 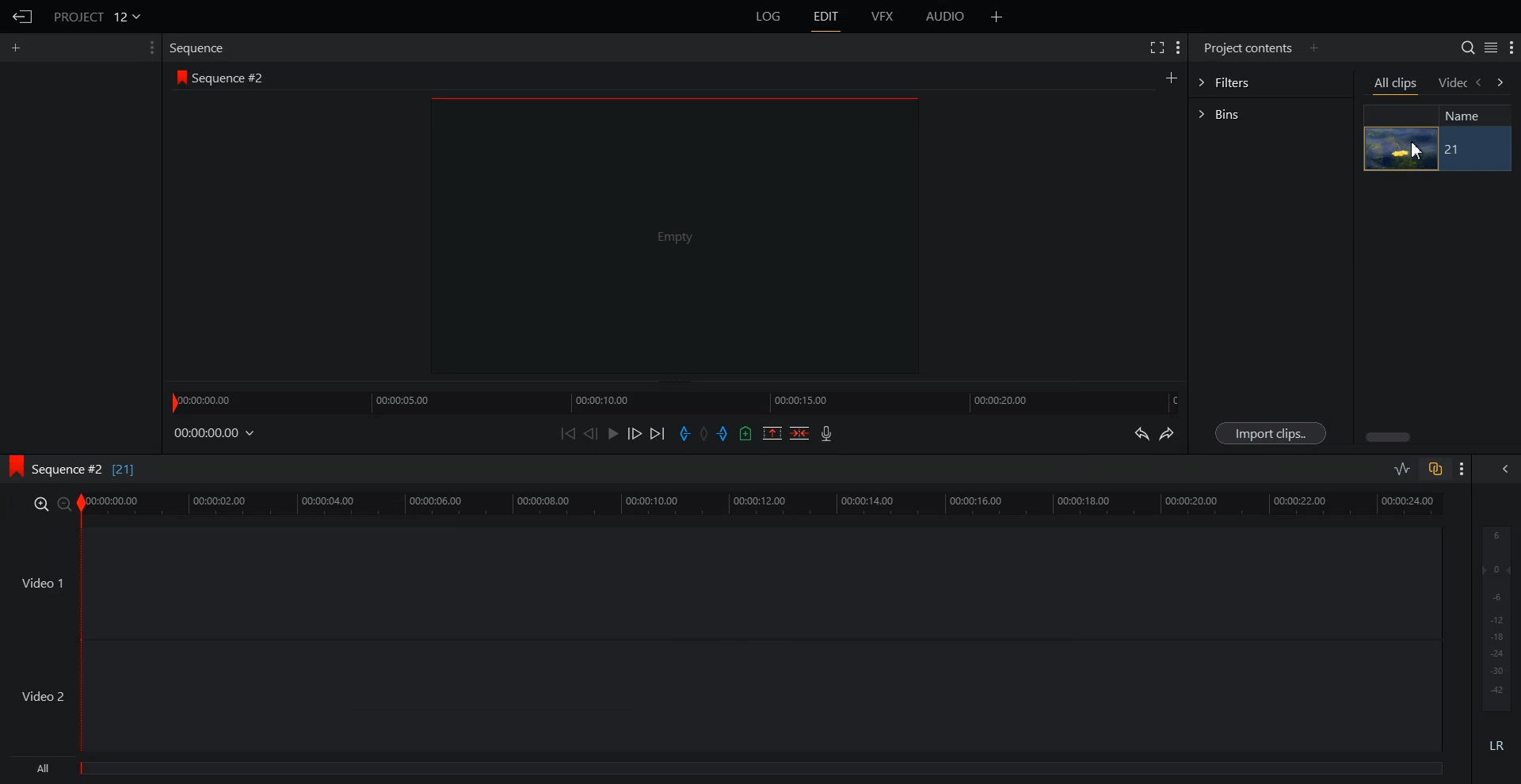 I want to click on All, so click(x=729, y=771).